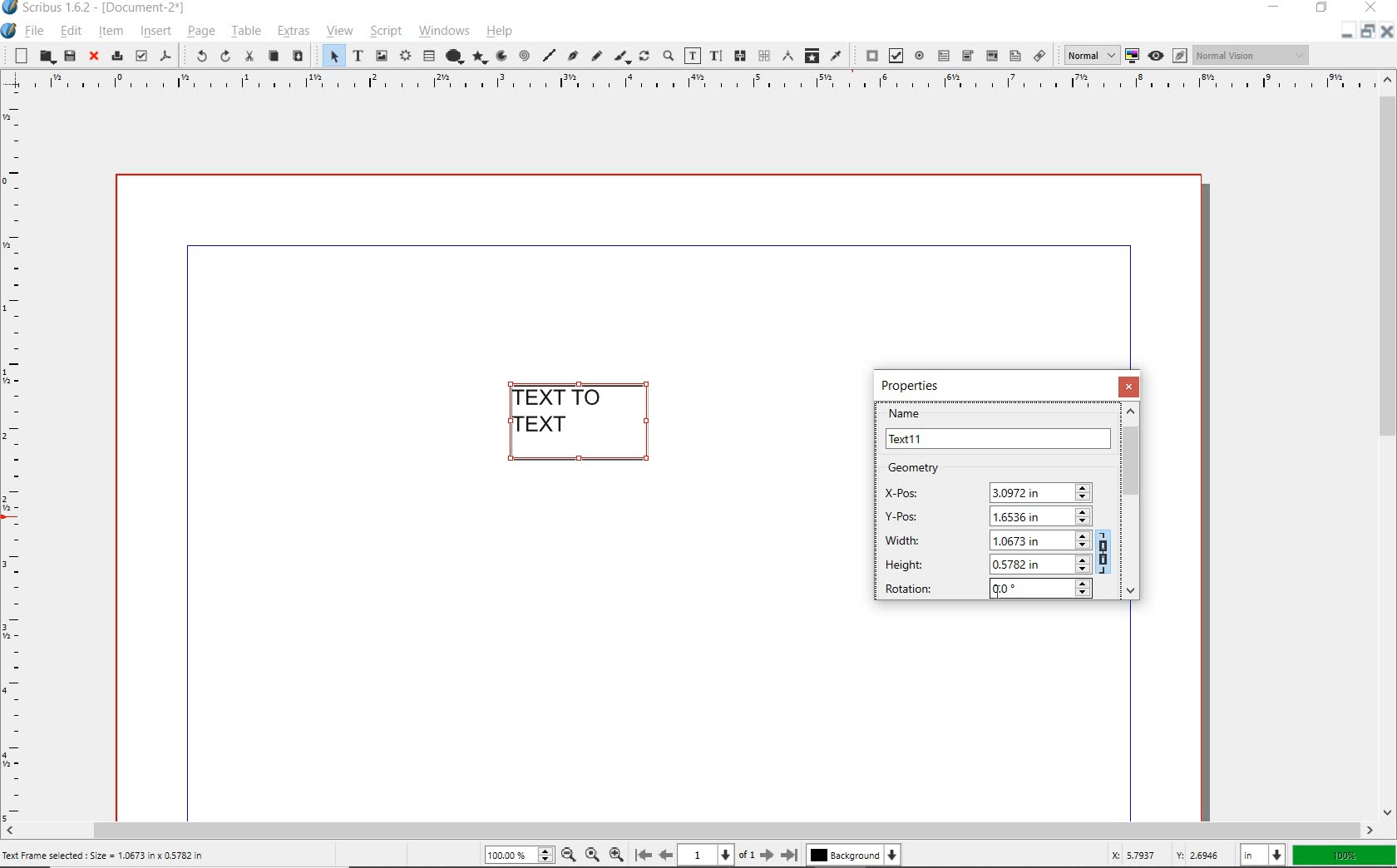 This screenshot has height=868, width=1397. I want to click on edit, so click(72, 31).